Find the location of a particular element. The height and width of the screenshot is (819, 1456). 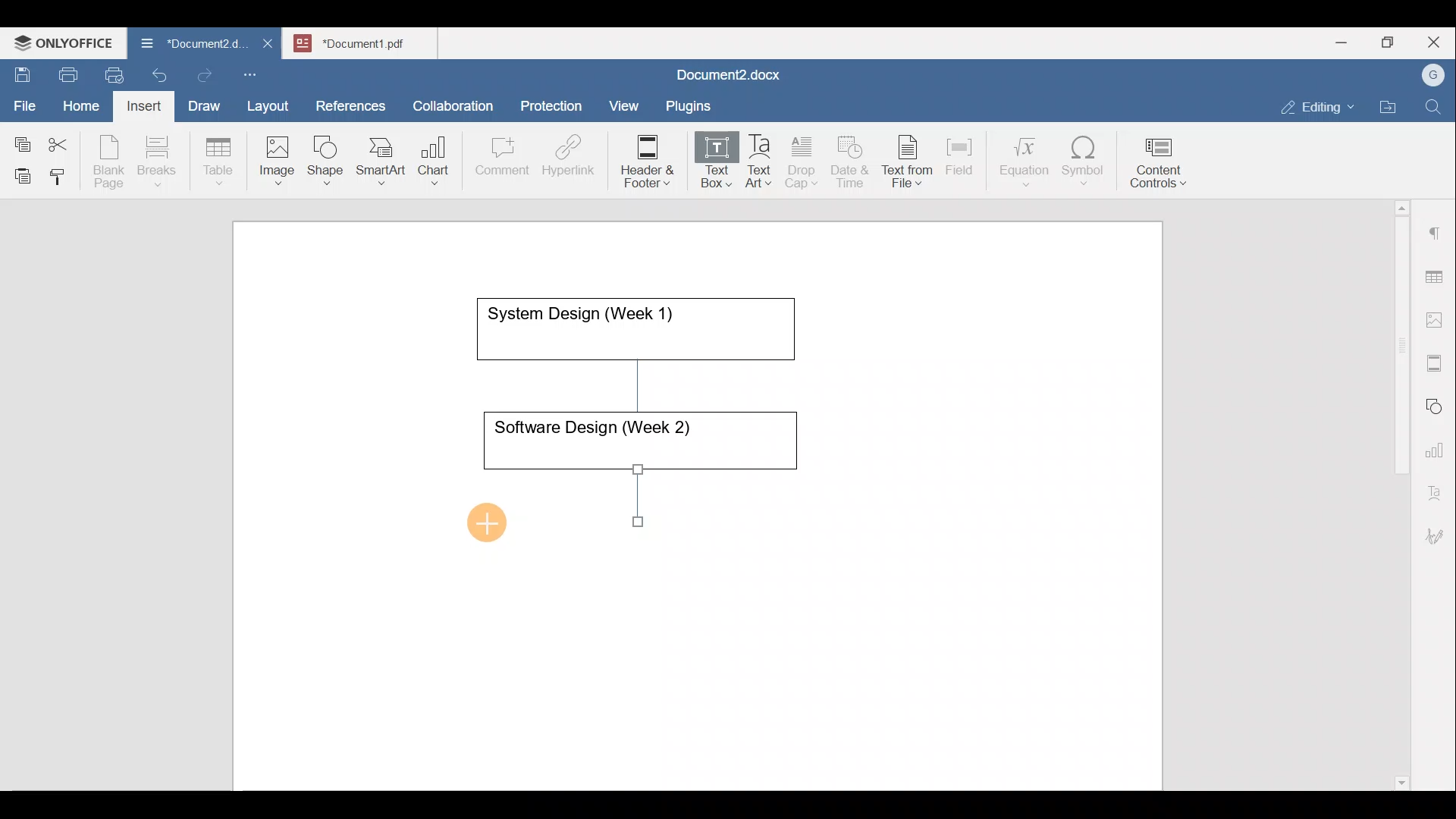

Shape is located at coordinates (327, 153).